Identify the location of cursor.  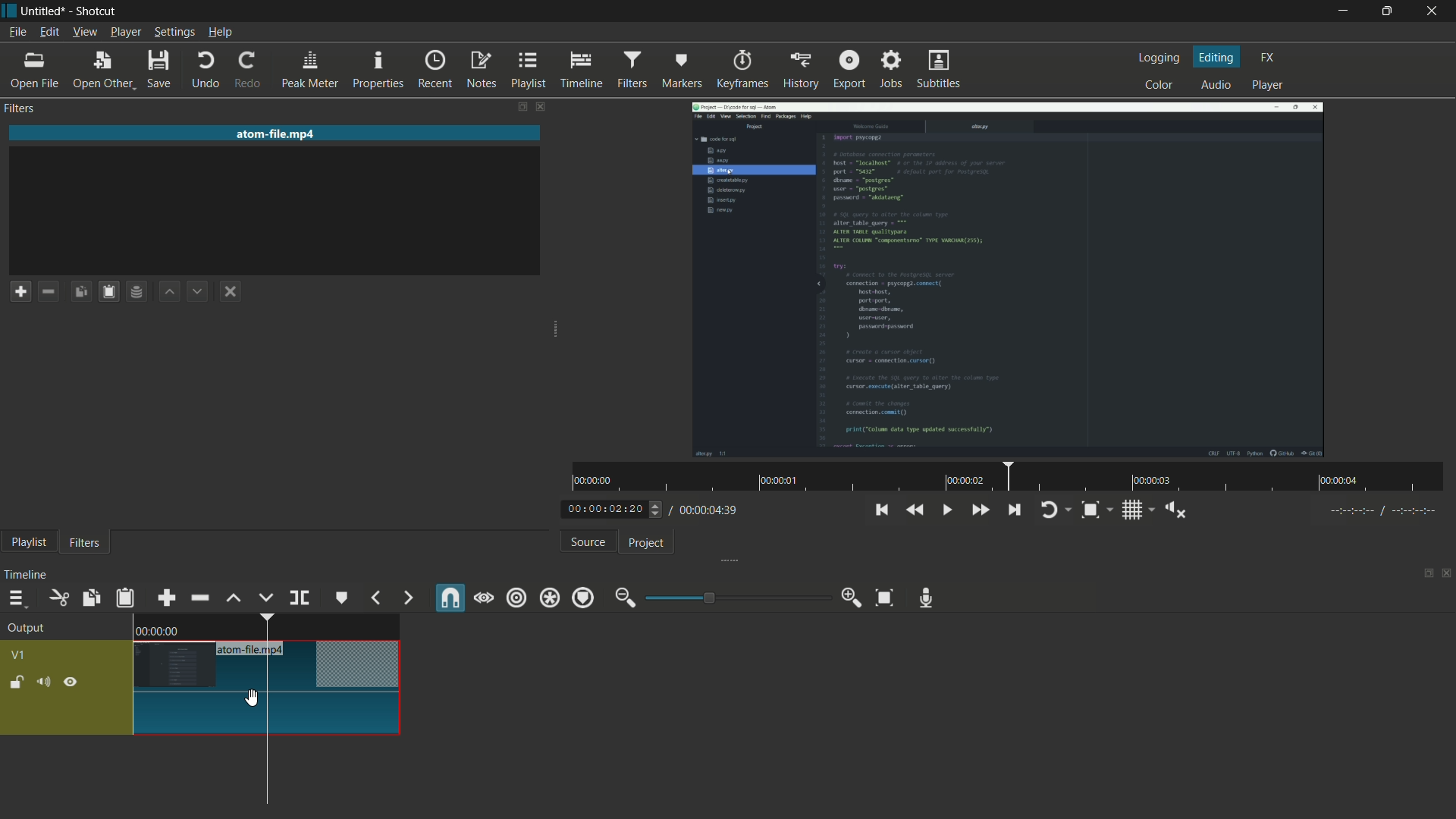
(252, 698).